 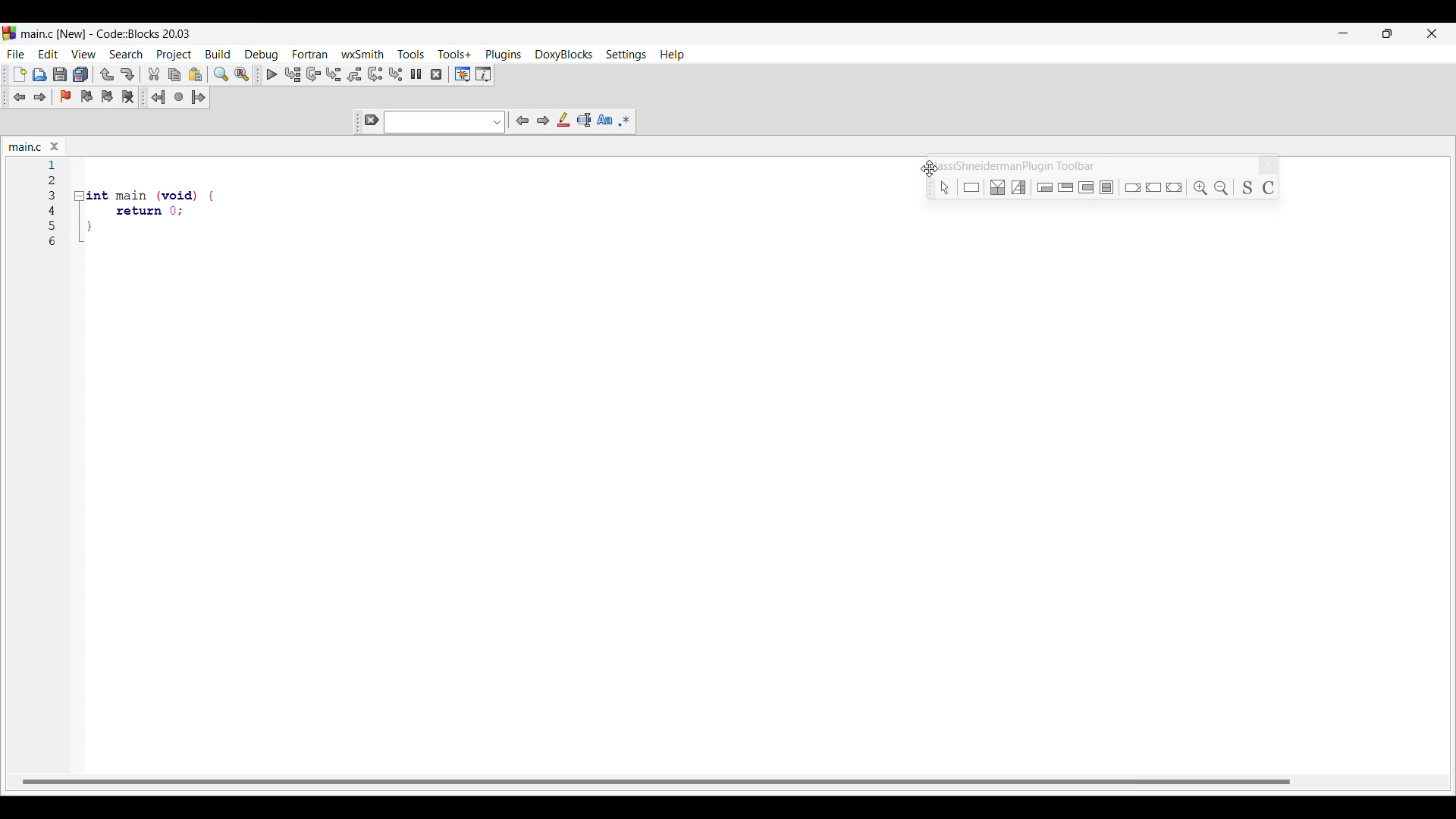 I want to click on Redo, so click(x=127, y=74).